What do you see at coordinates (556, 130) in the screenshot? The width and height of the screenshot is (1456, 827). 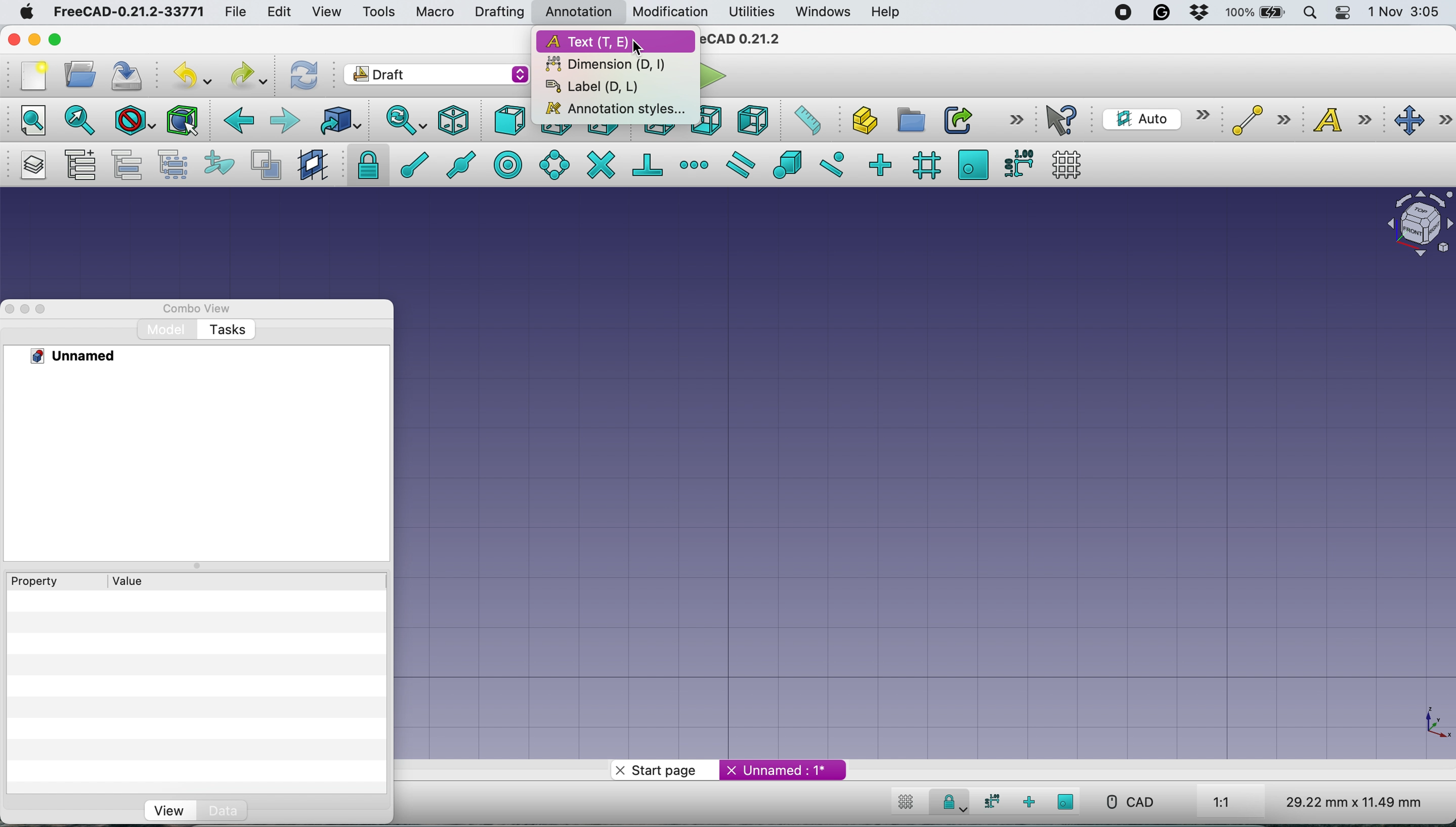 I see `top` at bounding box center [556, 130].